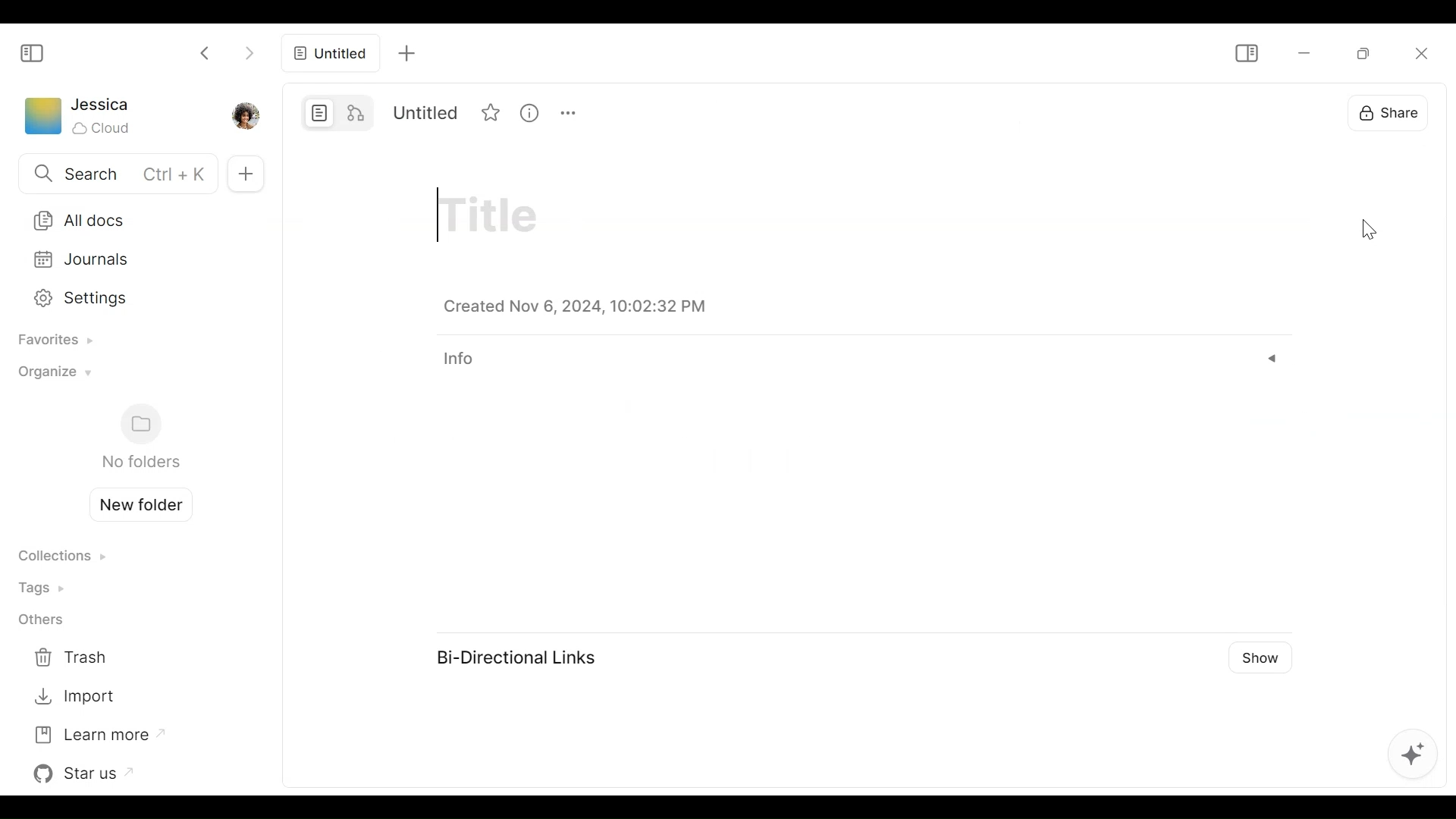 The height and width of the screenshot is (819, 1456). Describe the element at coordinates (320, 112) in the screenshot. I see `Page mode` at that location.